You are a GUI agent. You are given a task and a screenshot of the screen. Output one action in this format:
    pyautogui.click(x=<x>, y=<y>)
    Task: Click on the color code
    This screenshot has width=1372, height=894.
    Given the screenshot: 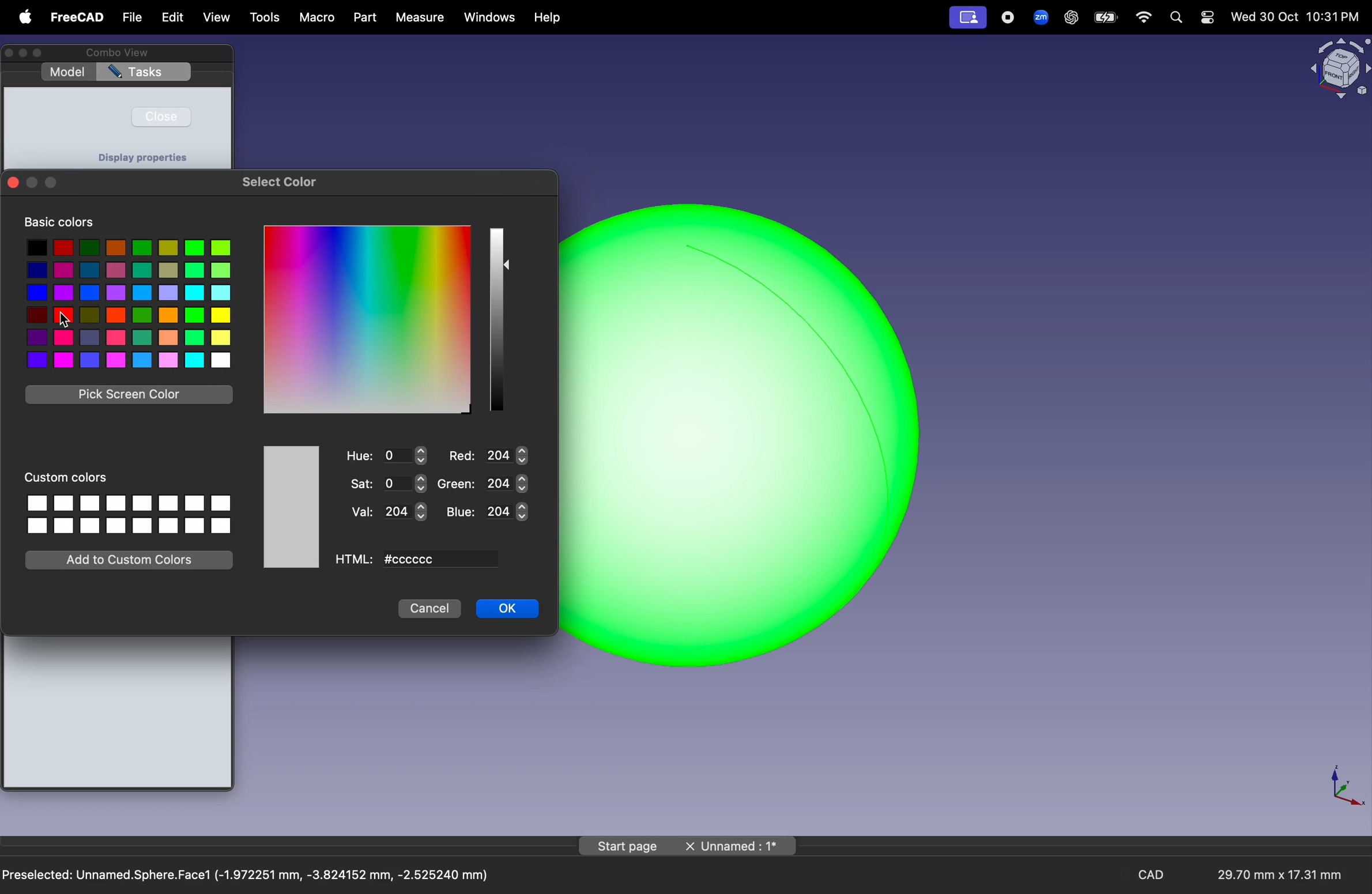 What is the action you would take?
    pyautogui.click(x=437, y=560)
    